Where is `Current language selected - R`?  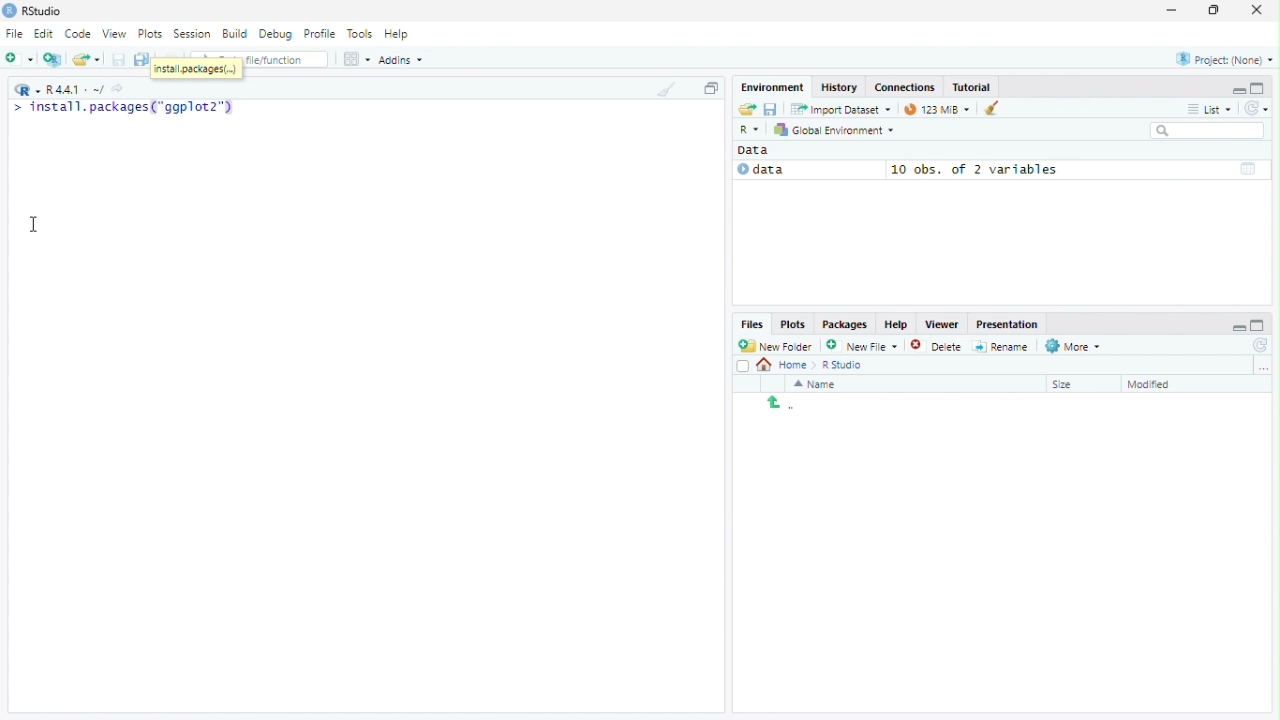
Current language selected - R is located at coordinates (25, 89).